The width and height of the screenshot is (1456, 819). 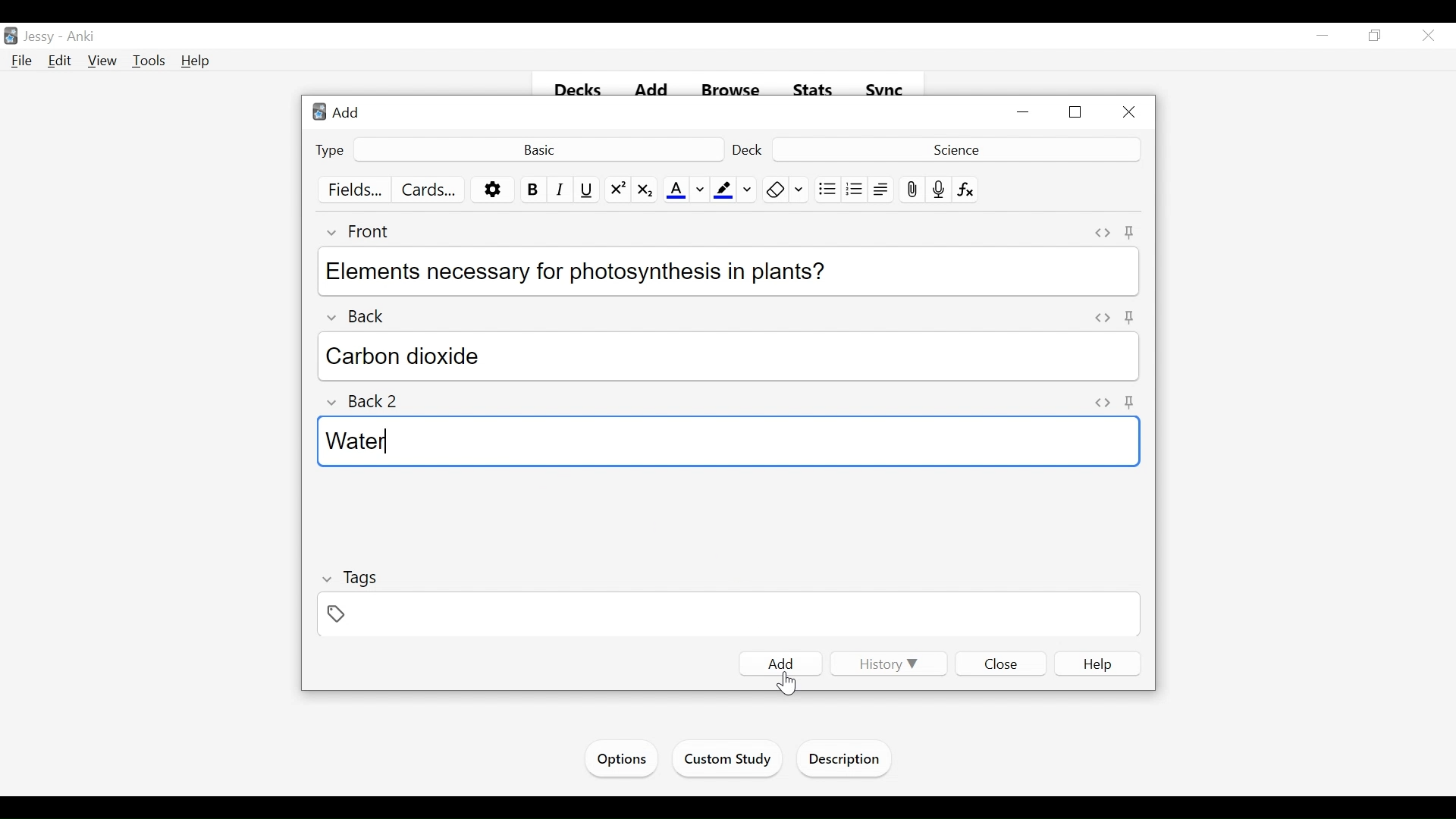 What do you see at coordinates (781, 664) in the screenshot?
I see `Add` at bounding box center [781, 664].